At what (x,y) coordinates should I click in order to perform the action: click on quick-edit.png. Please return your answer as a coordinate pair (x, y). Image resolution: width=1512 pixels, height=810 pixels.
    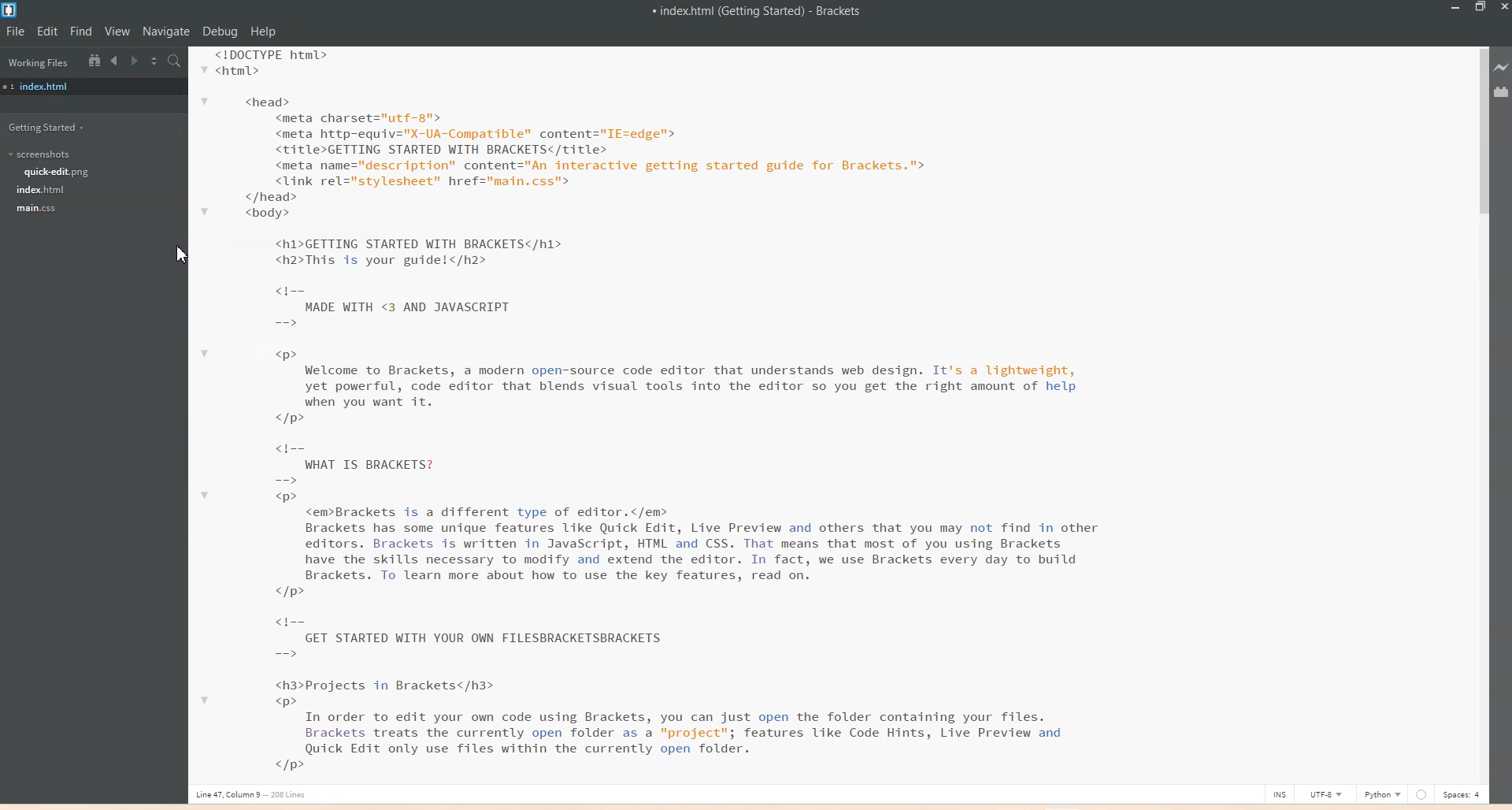
    Looking at the image, I should click on (59, 173).